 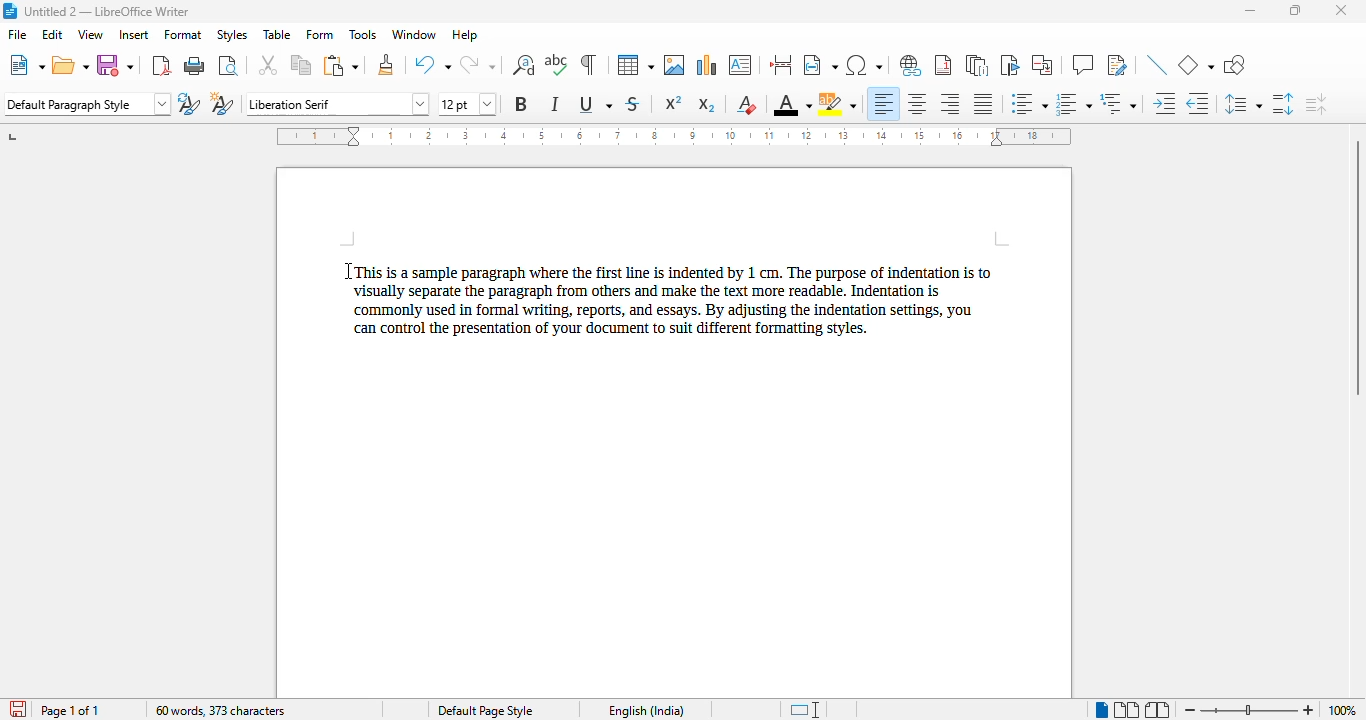 What do you see at coordinates (1342, 710) in the screenshot?
I see `zoom factor` at bounding box center [1342, 710].